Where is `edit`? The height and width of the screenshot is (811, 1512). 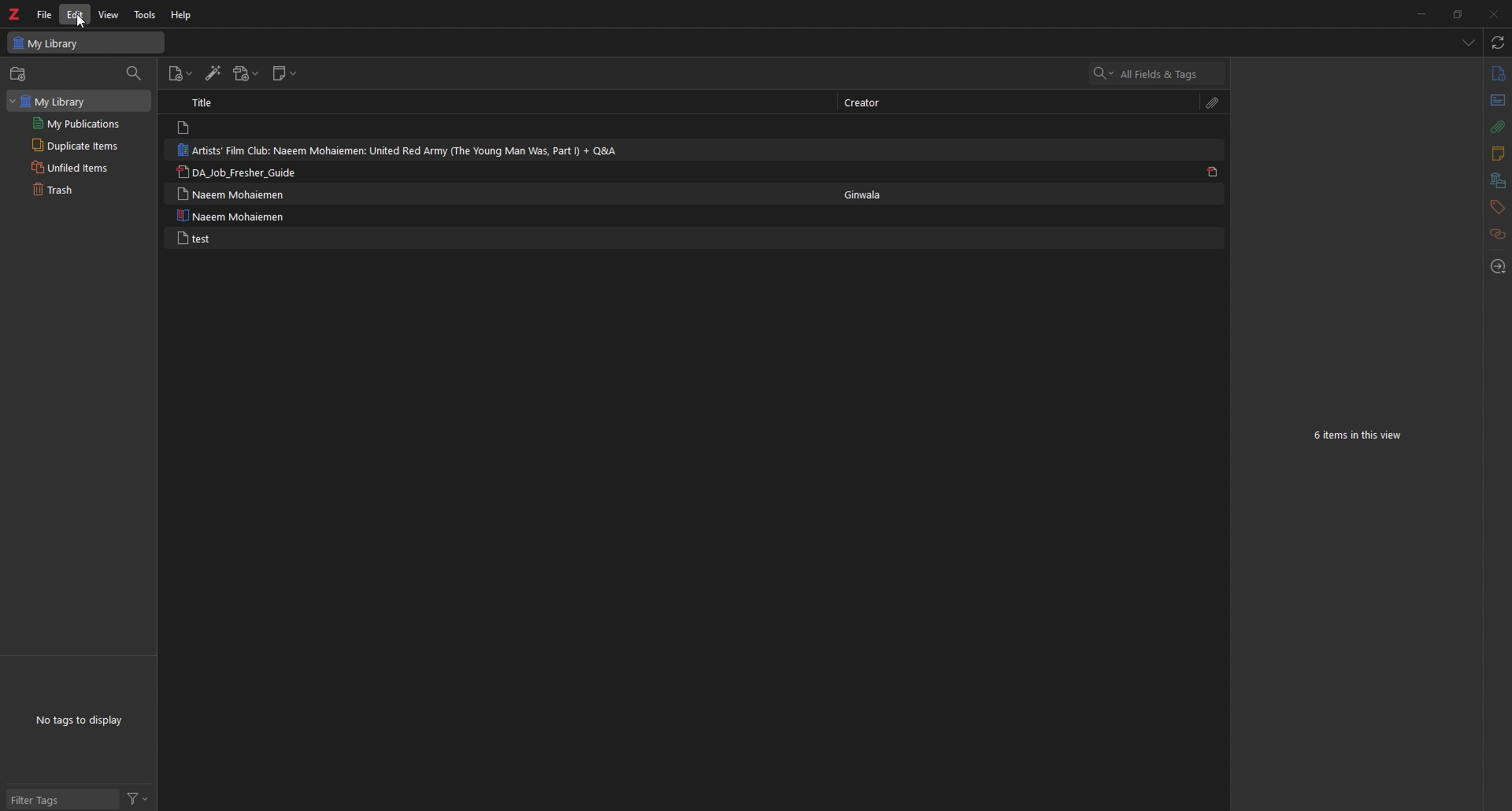 edit is located at coordinates (77, 15).